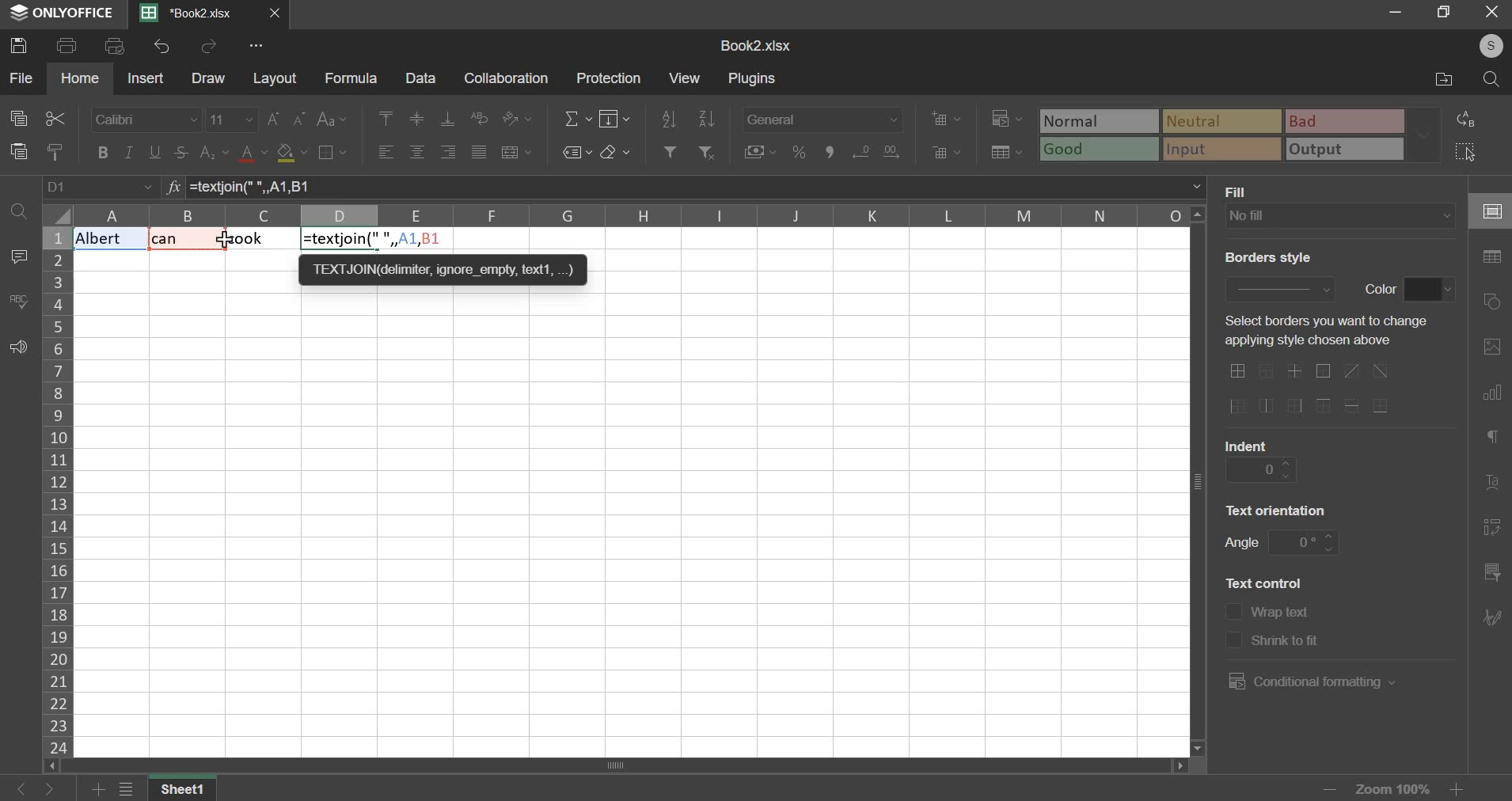 The height and width of the screenshot is (801, 1512). What do you see at coordinates (1309, 681) in the screenshot?
I see `conditional formatting` at bounding box center [1309, 681].